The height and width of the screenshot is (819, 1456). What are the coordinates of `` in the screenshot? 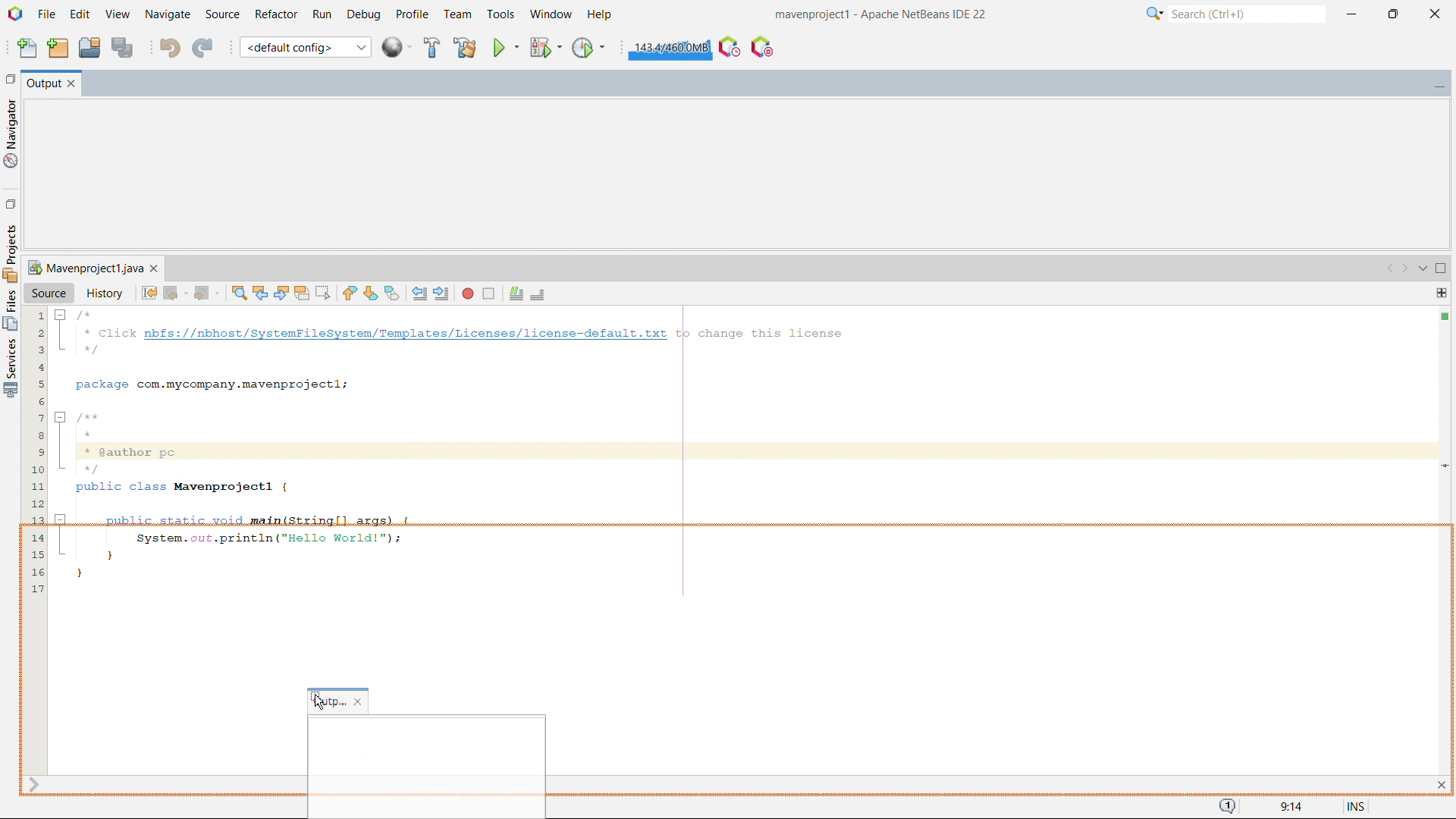 It's located at (396, 48).